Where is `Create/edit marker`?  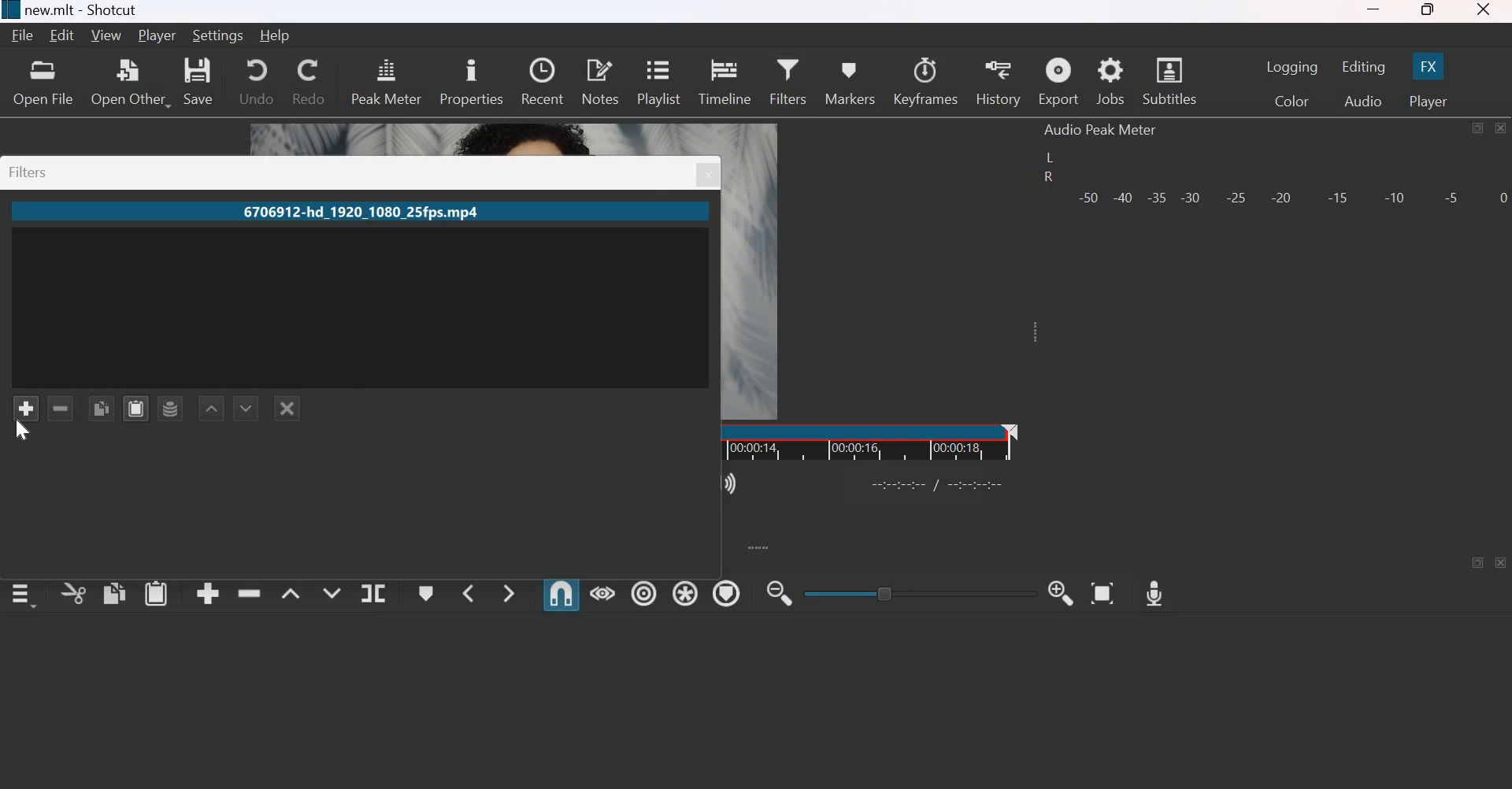 Create/edit marker is located at coordinates (427, 594).